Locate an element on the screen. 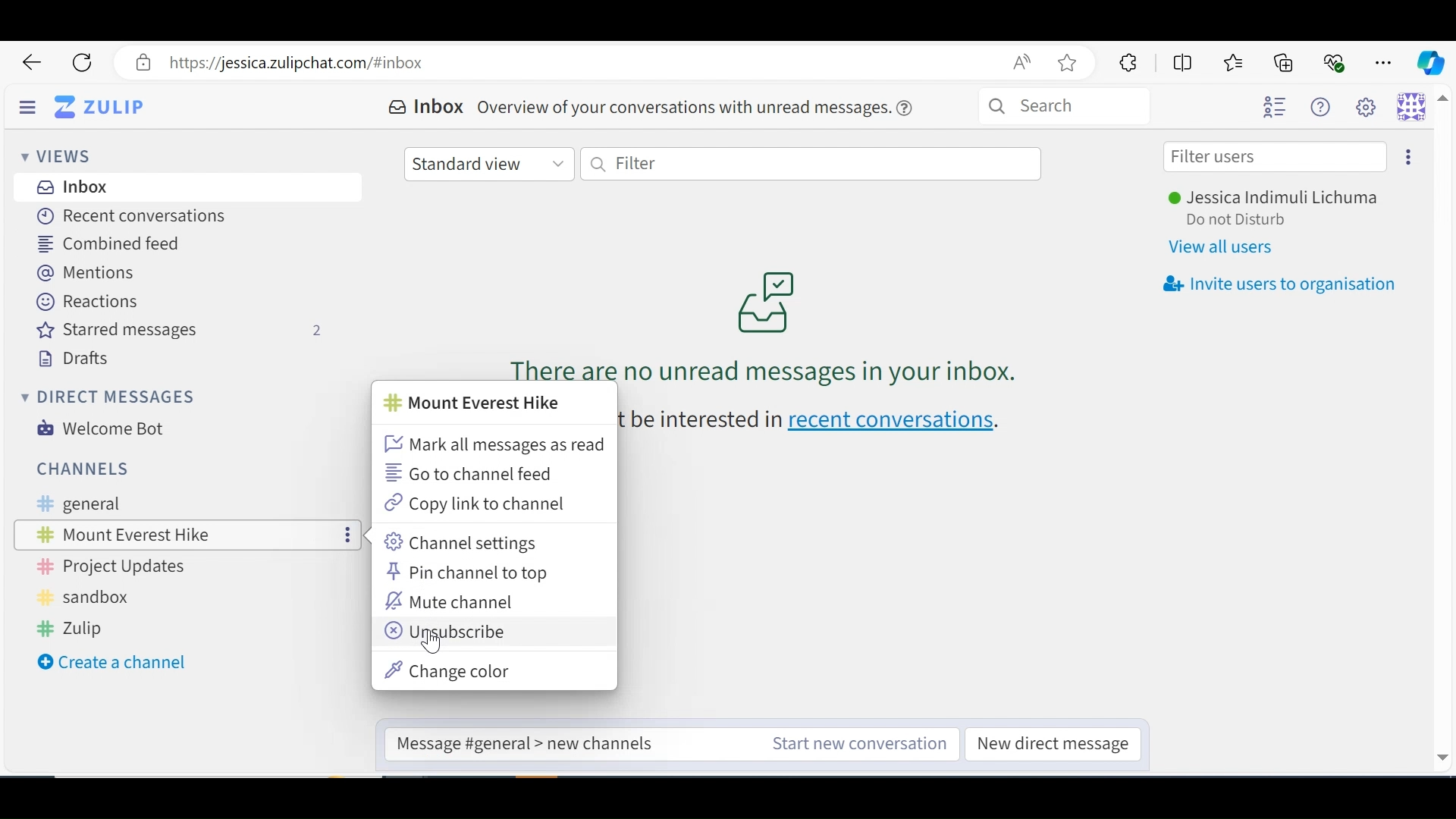  Split screen is located at coordinates (1181, 61).